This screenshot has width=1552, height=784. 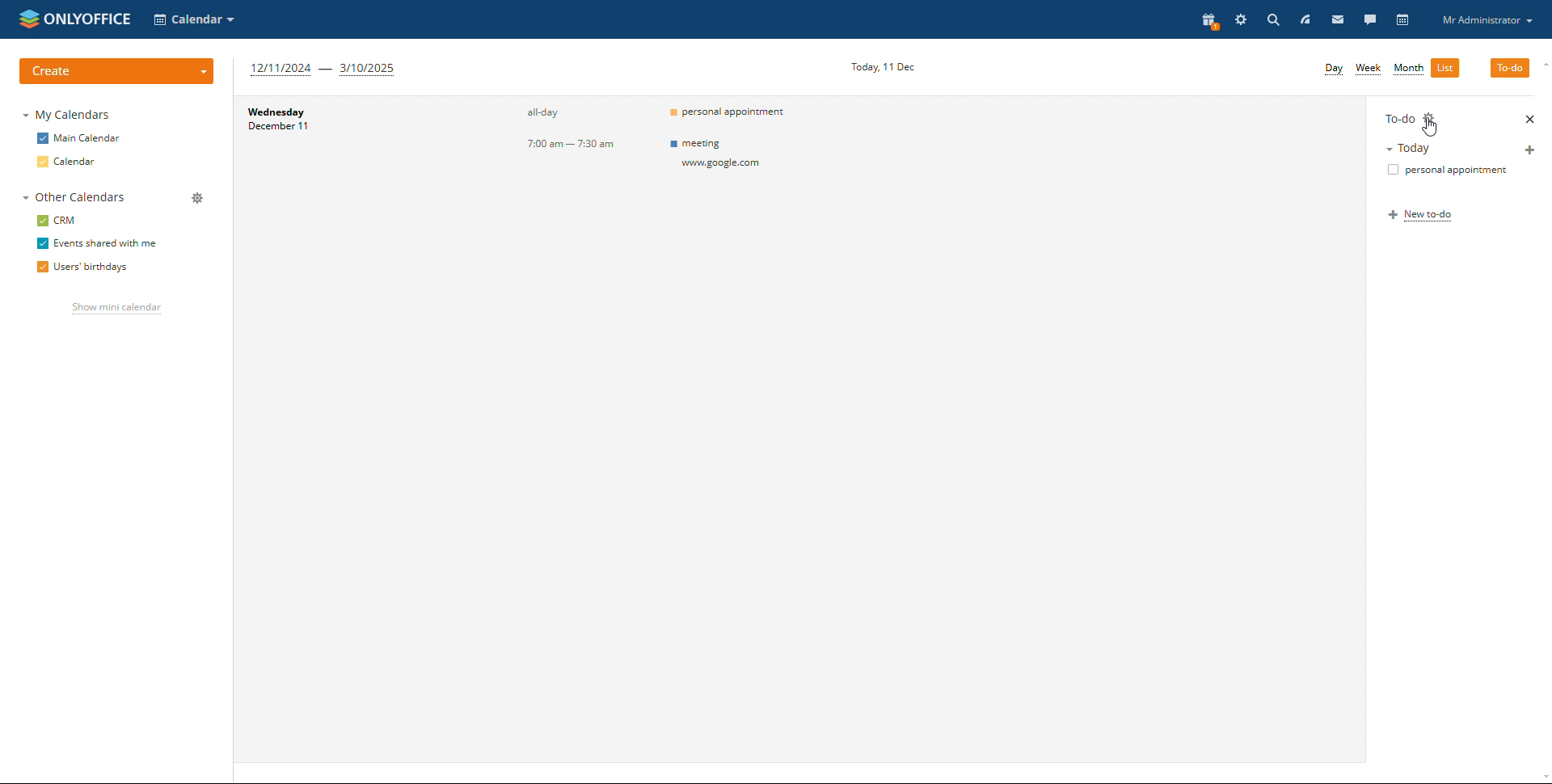 I want to click on present, so click(x=1208, y=21).